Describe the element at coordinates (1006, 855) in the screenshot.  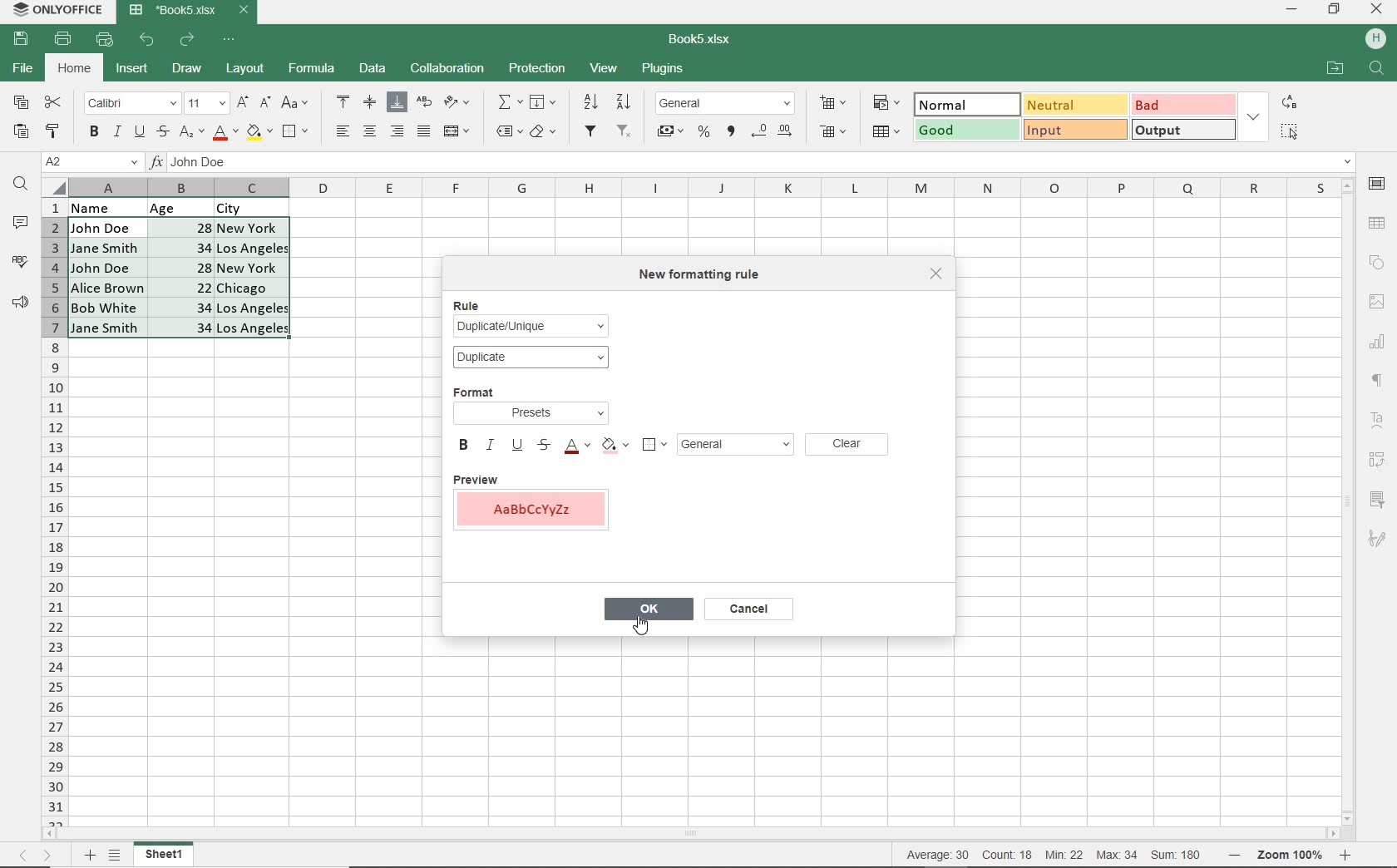
I see `count` at that location.